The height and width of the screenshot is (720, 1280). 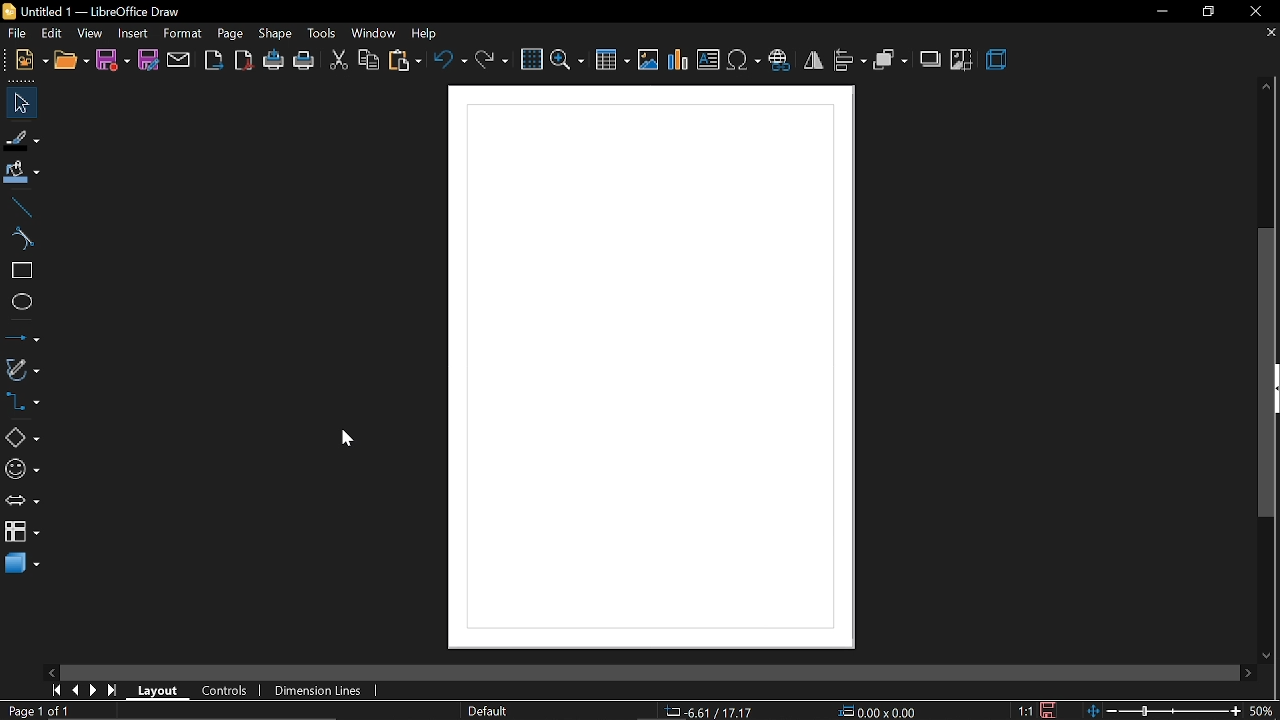 What do you see at coordinates (651, 366) in the screenshot?
I see `page size changed` at bounding box center [651, 366].